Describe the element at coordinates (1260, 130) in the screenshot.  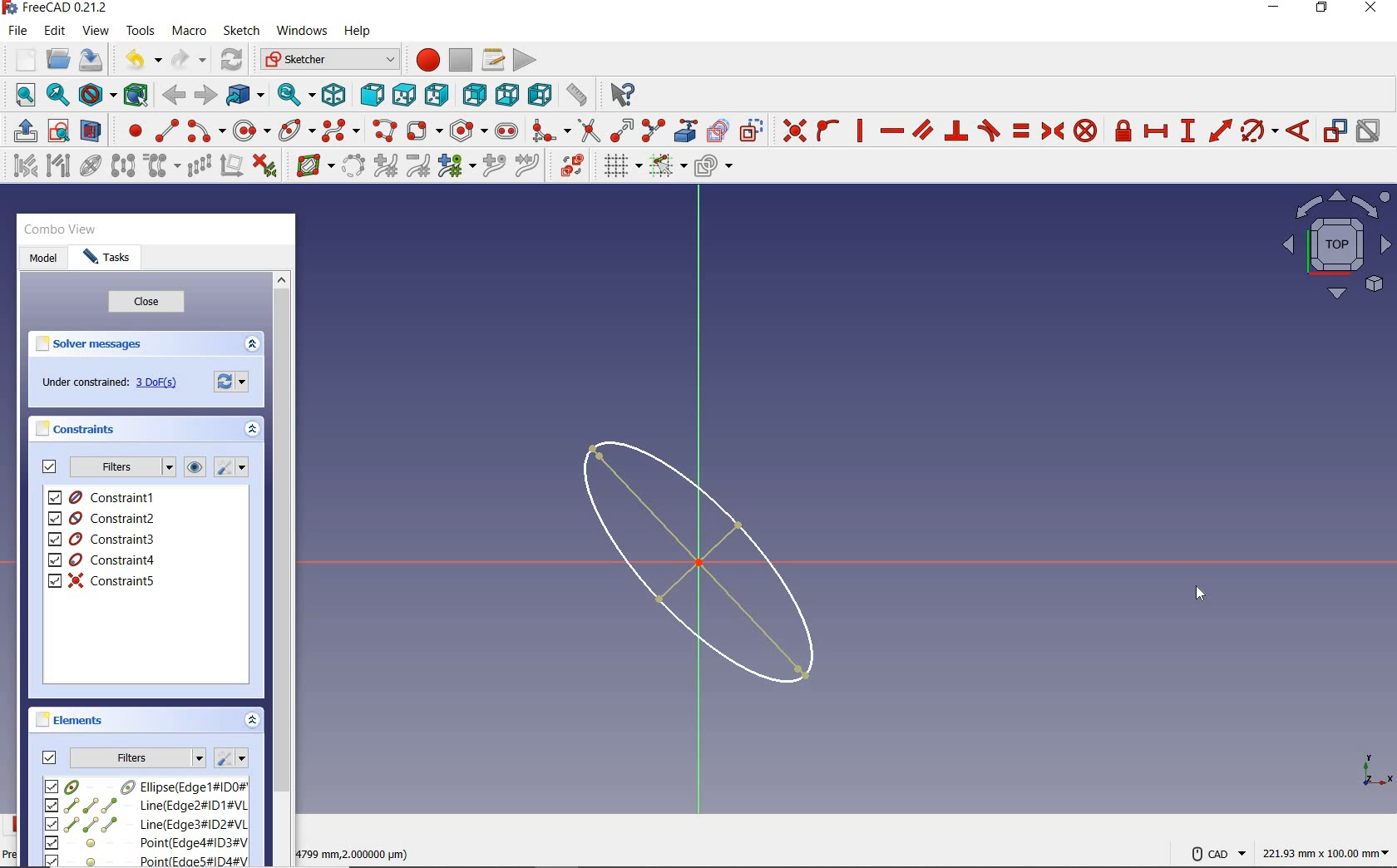
I see `constrain ar/circle` at that location.